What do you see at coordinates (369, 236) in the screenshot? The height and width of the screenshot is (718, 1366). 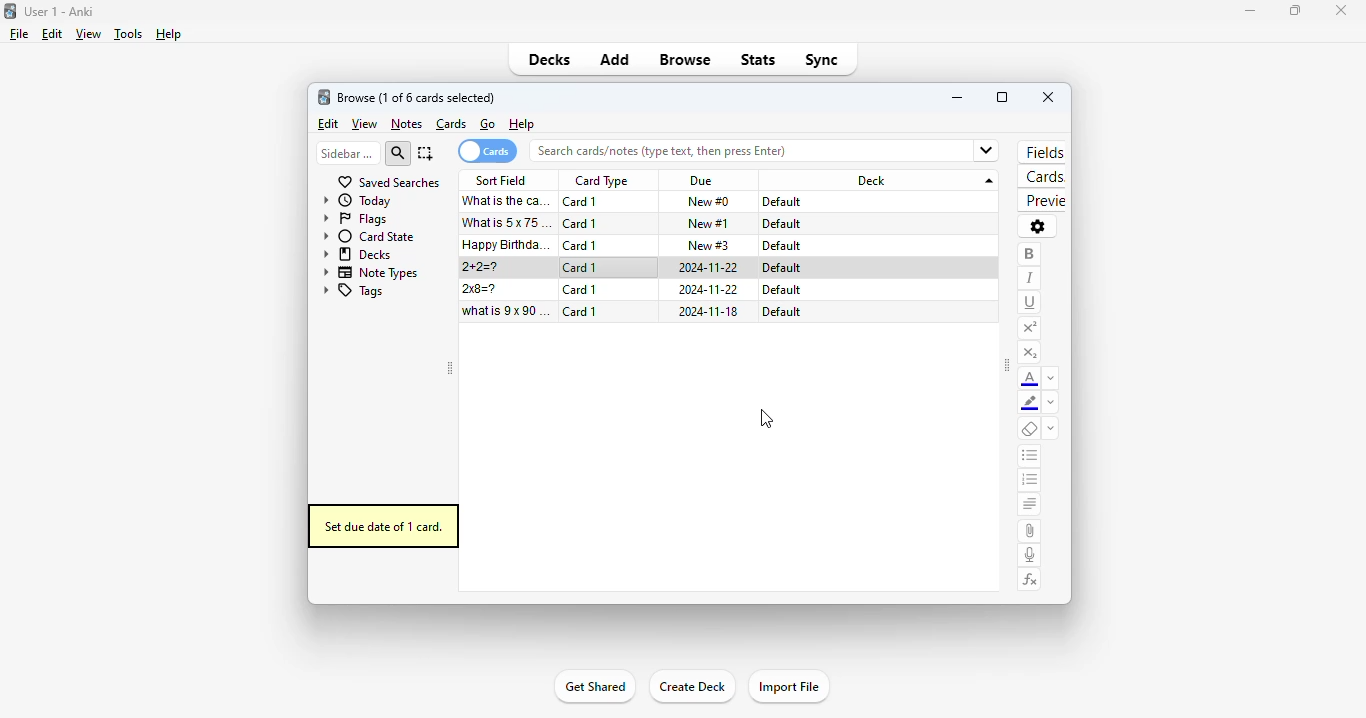 I see `card state` at bounding box center [369, 236].